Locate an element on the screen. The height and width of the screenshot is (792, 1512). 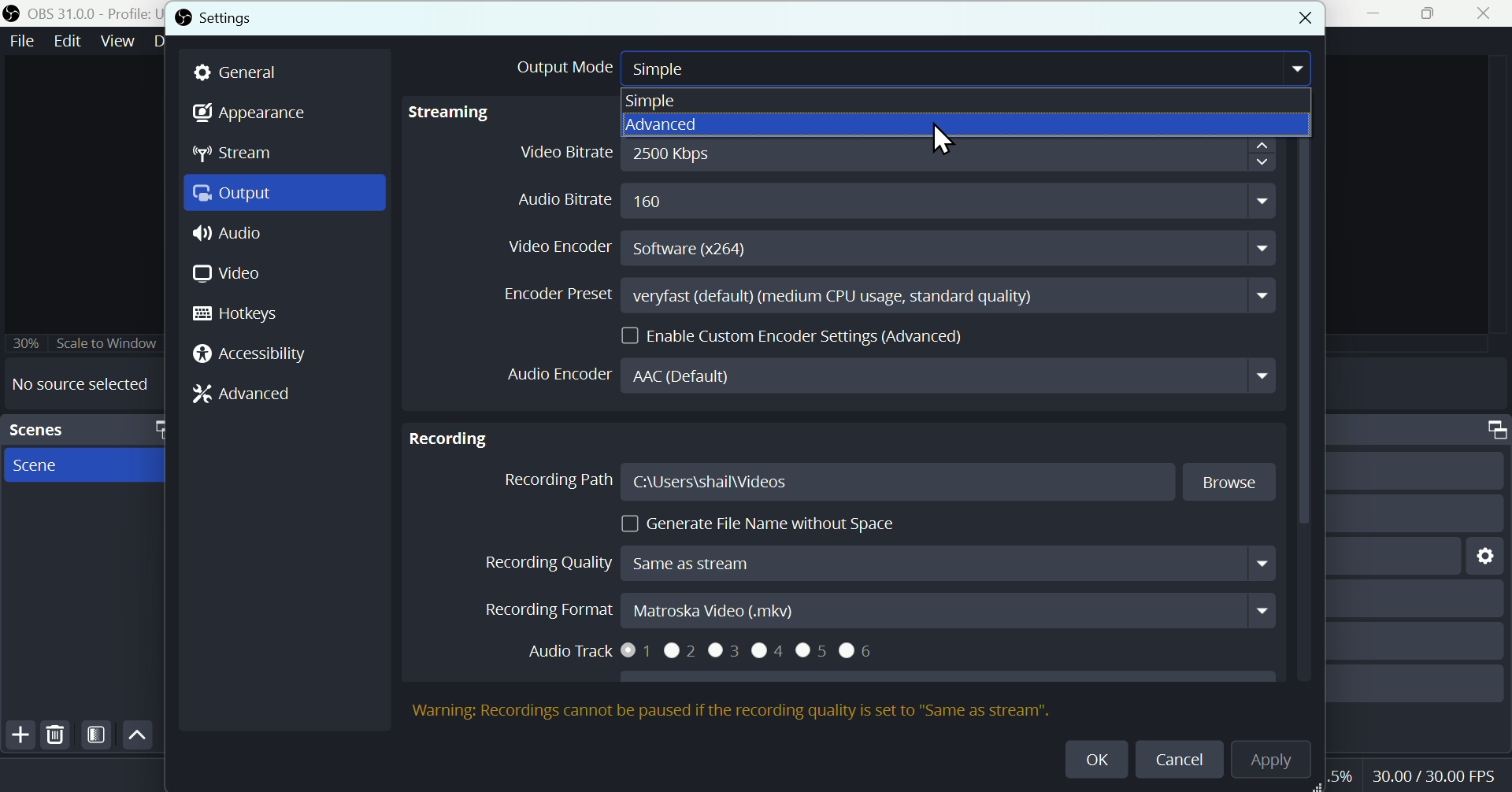
Cancel is located at coordinates (1179, 761).